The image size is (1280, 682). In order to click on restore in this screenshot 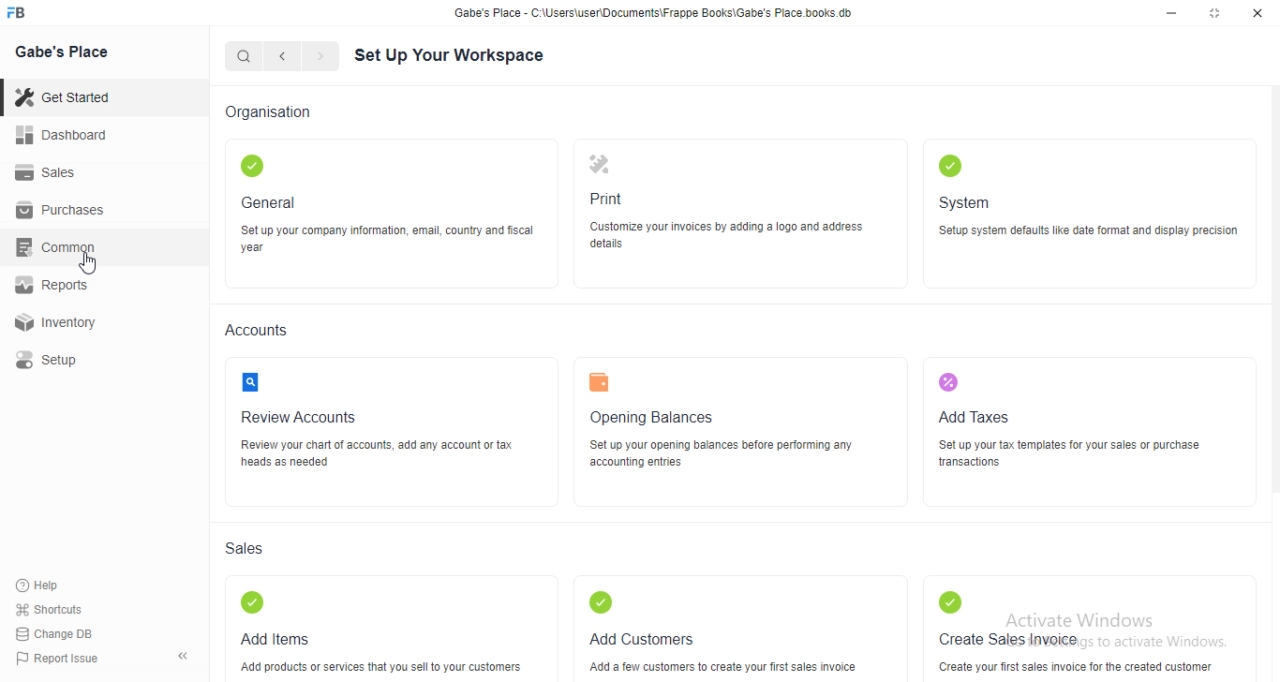, I will do `click(1213, 12)`.